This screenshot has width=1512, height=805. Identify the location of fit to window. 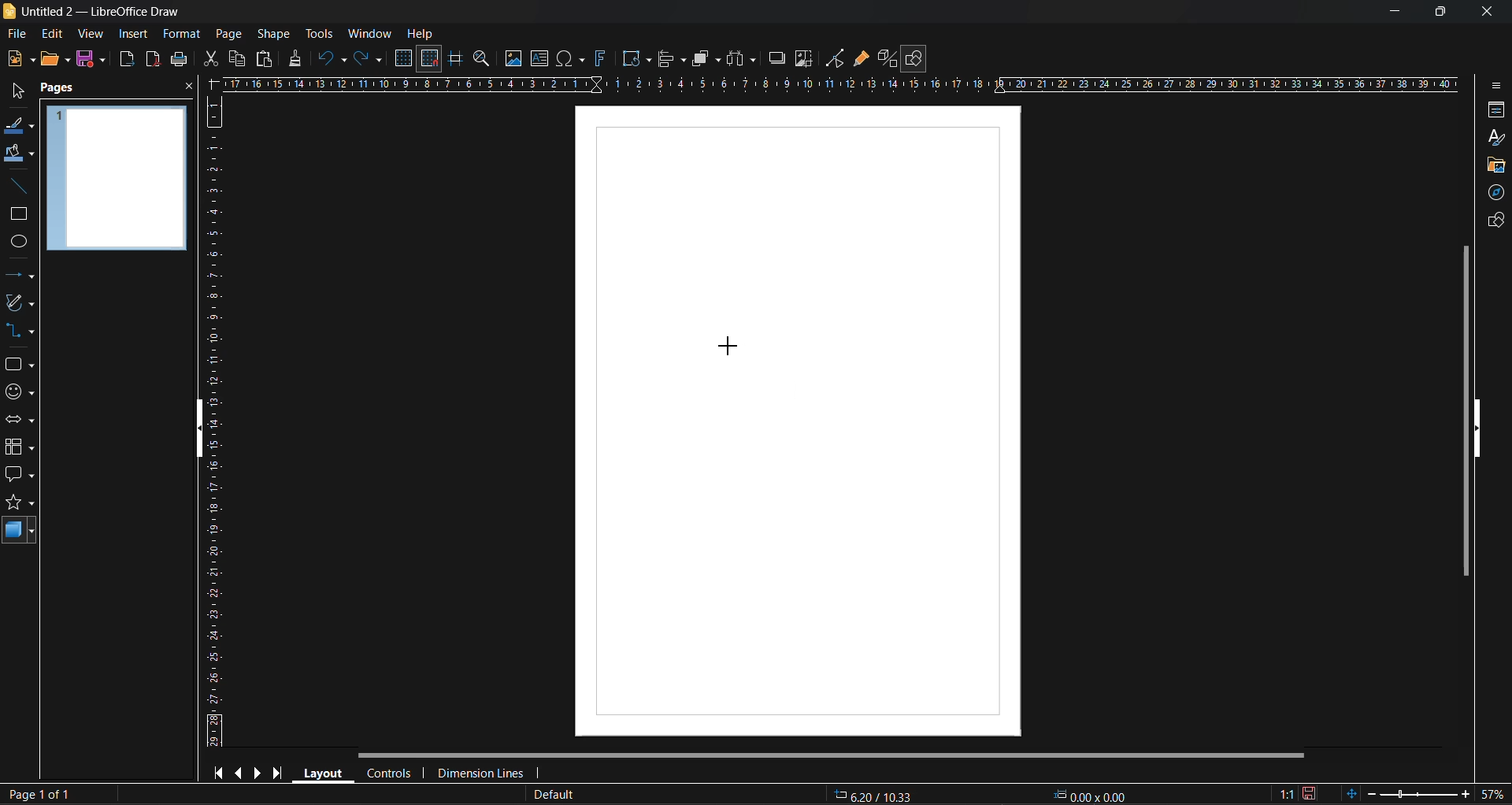
(1354, 793).